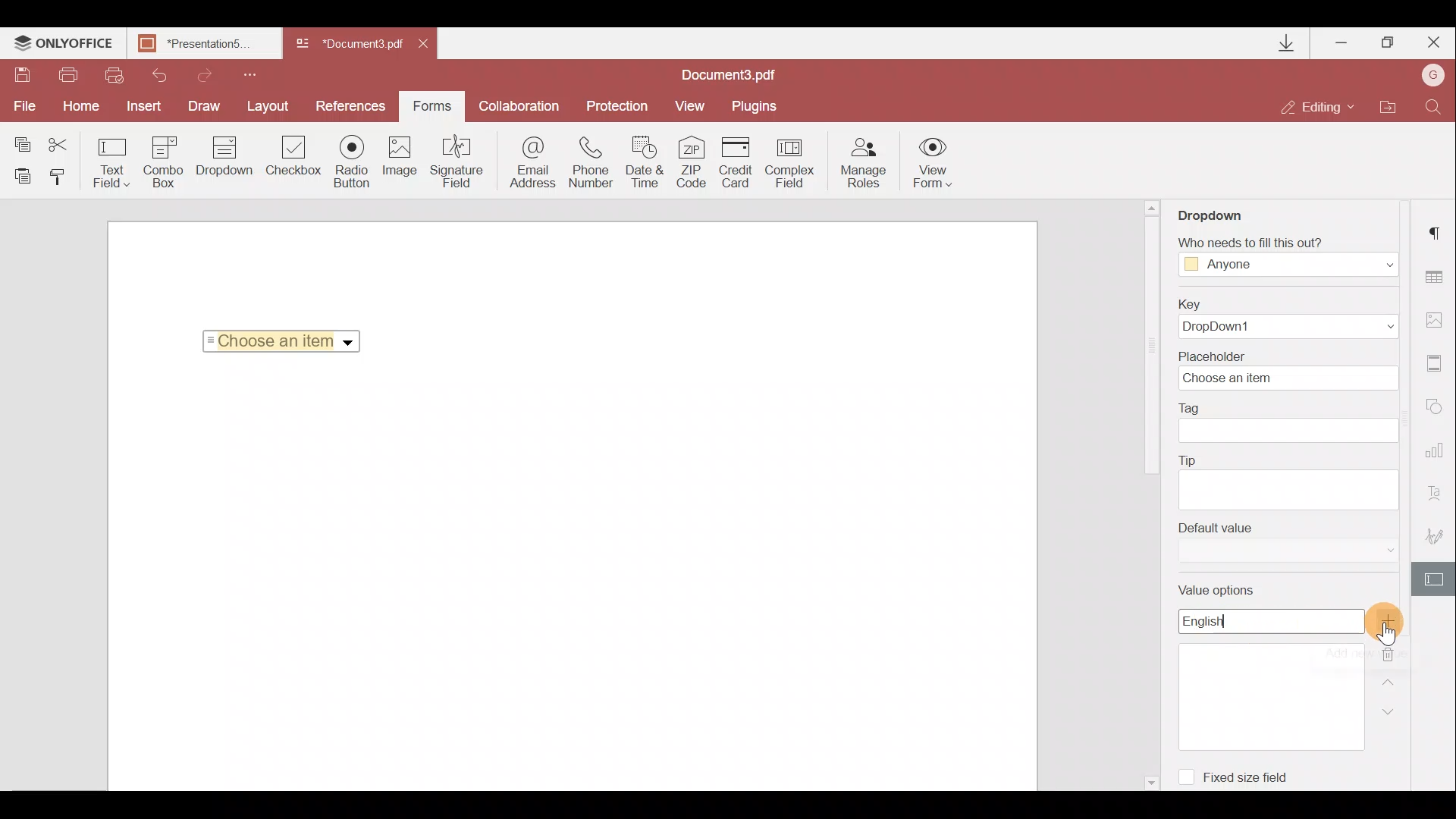 The height and width of the screenshot is (819, 1456). Describe the element at coordinates (349, 45) in the screenshot. I see `Document3.pdf` at that location.